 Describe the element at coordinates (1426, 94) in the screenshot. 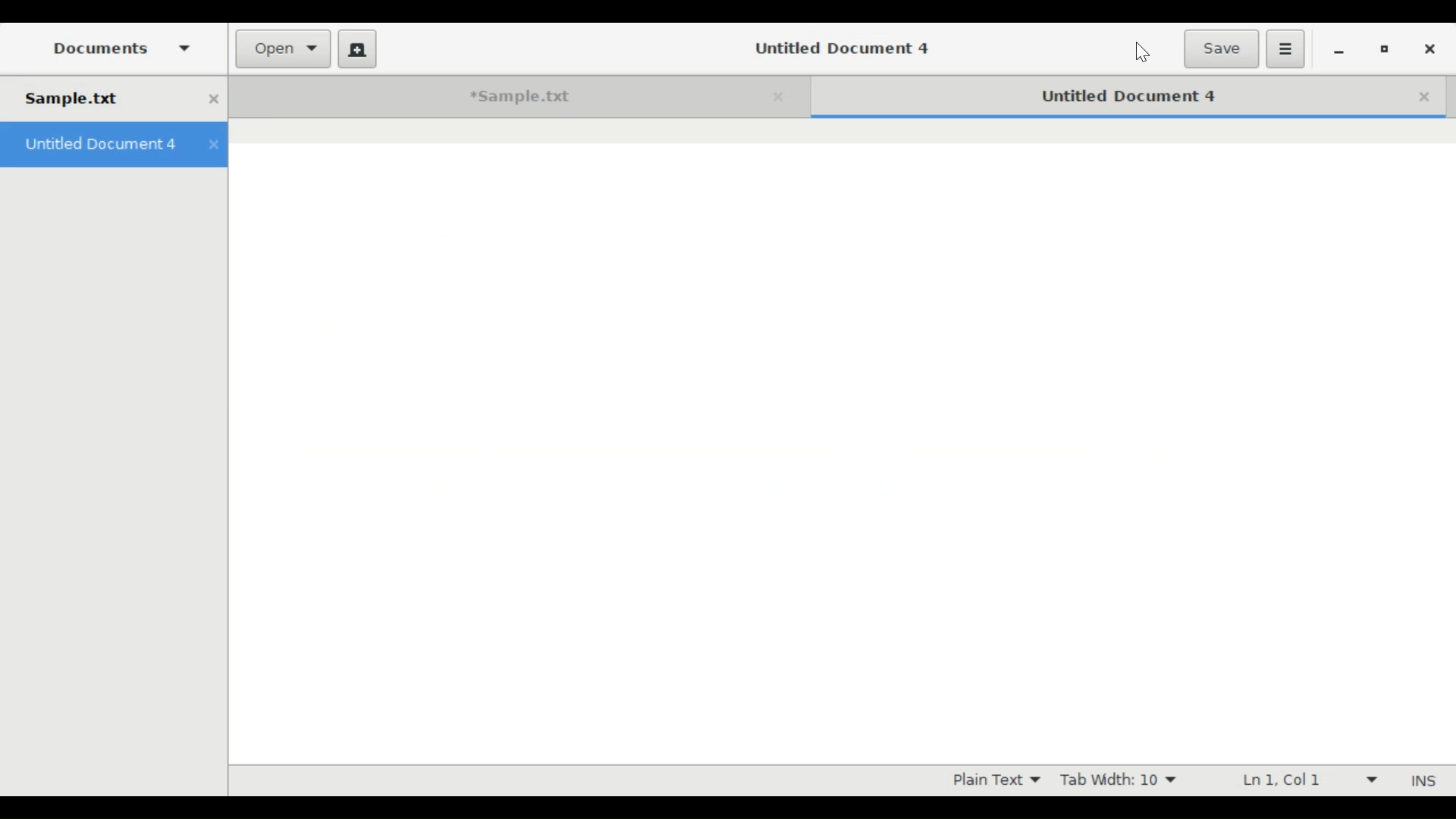

I see `Close` at that location.